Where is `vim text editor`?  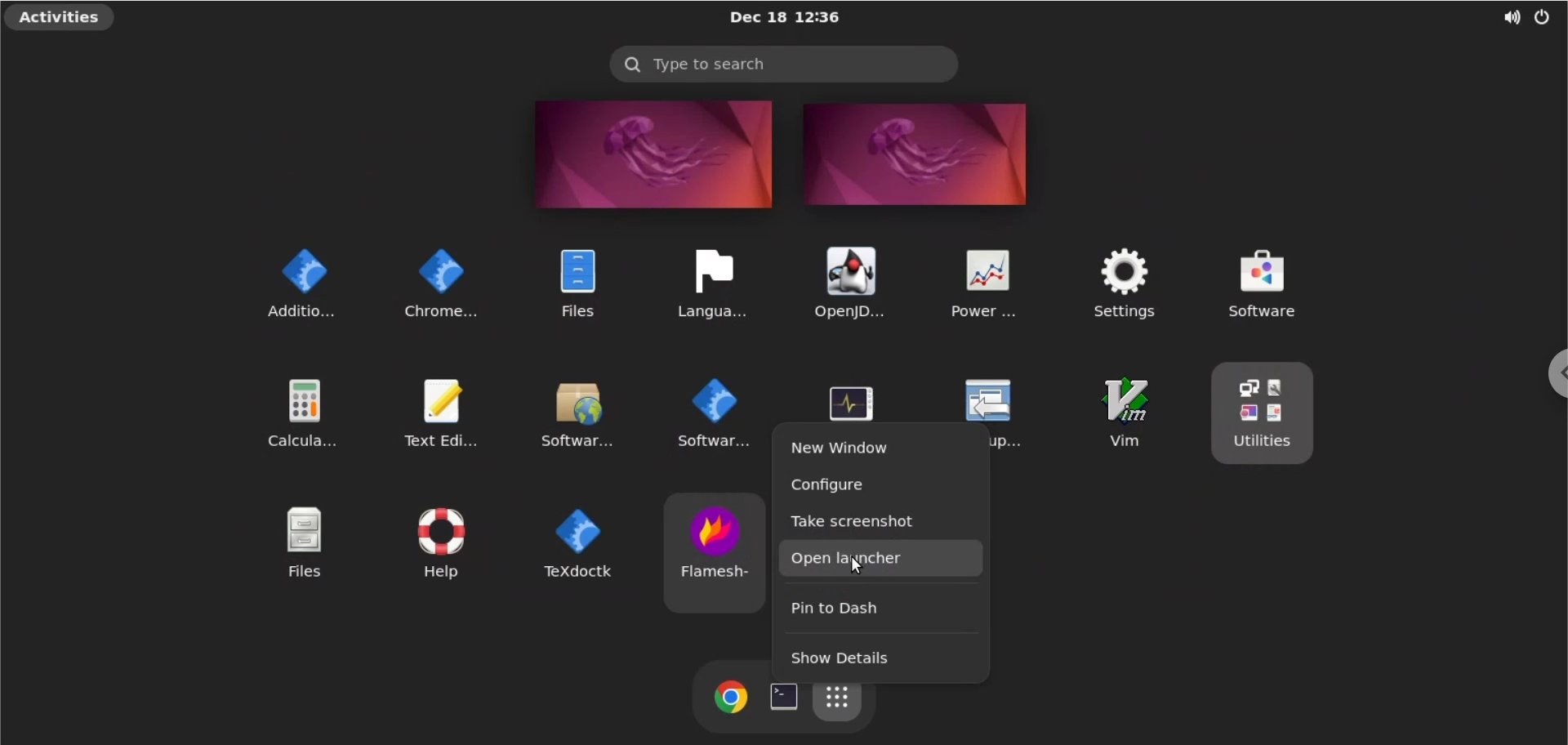 vim text editor is located at coordinates (1120, 415).